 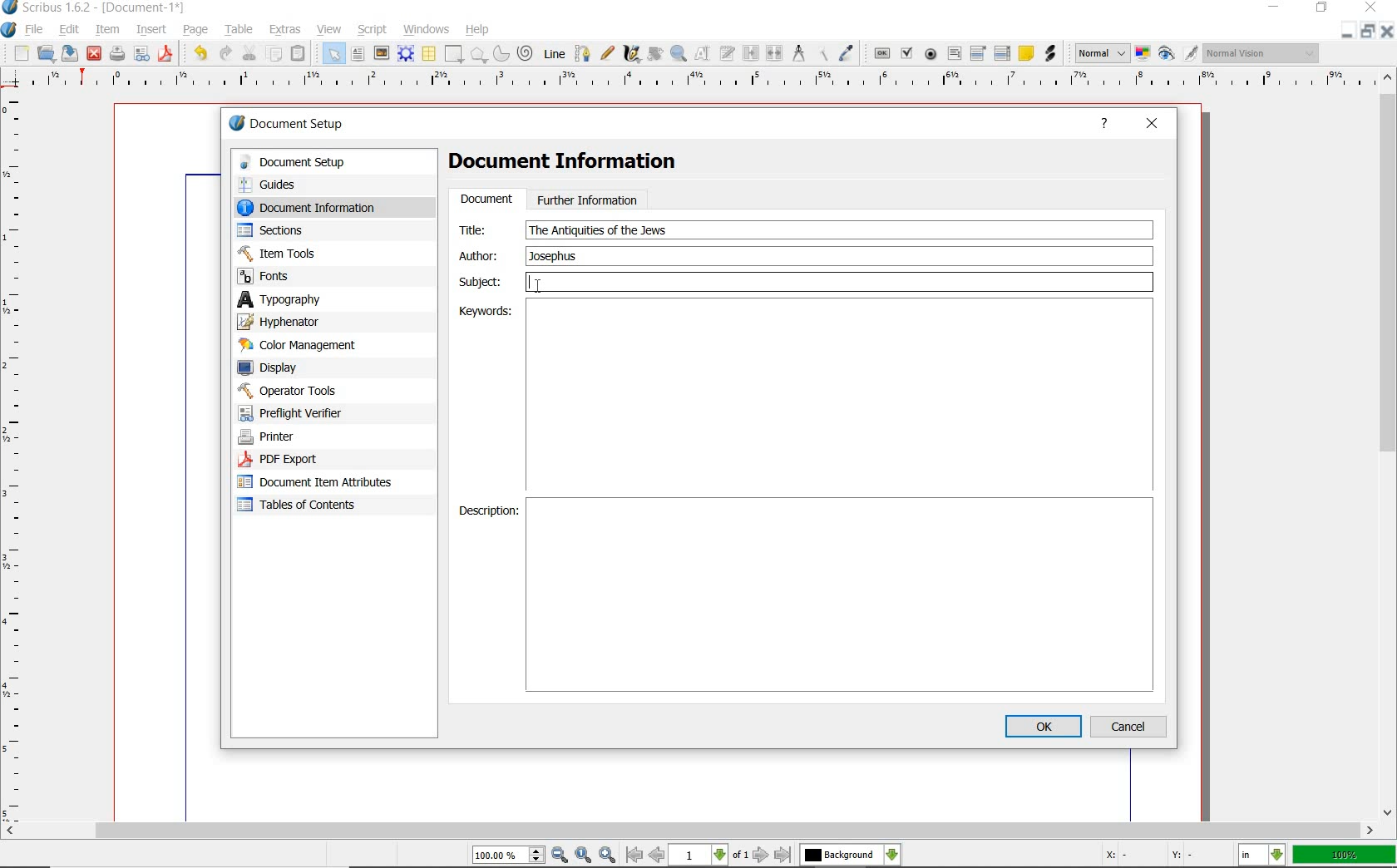 What do you see at coordinates (1389, 31) in the screenshot?
I see `close` at bounding box center [1389, 31].